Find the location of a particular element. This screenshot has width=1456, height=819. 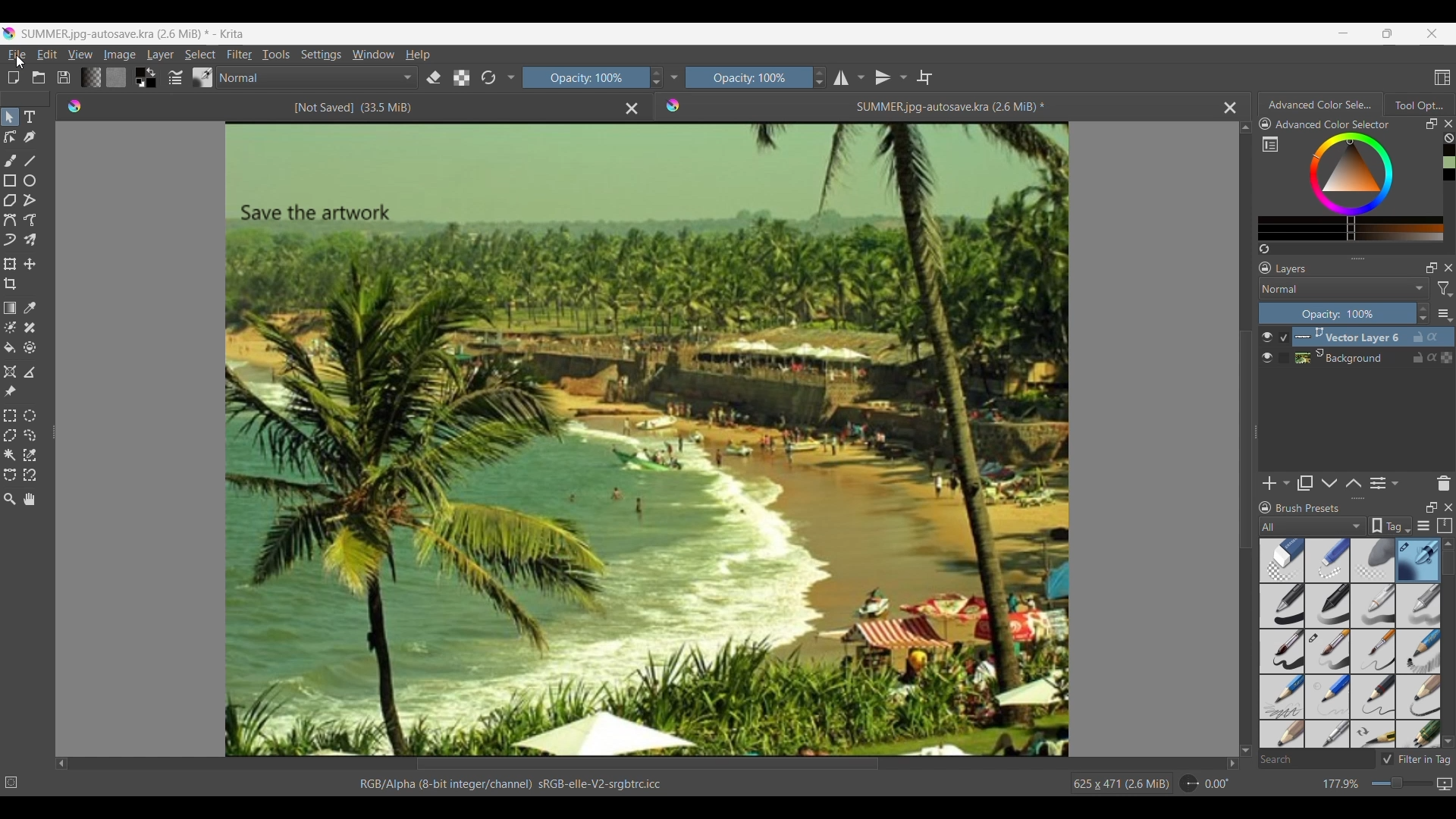

Smart patch tool is located at coordinates (30, 328).